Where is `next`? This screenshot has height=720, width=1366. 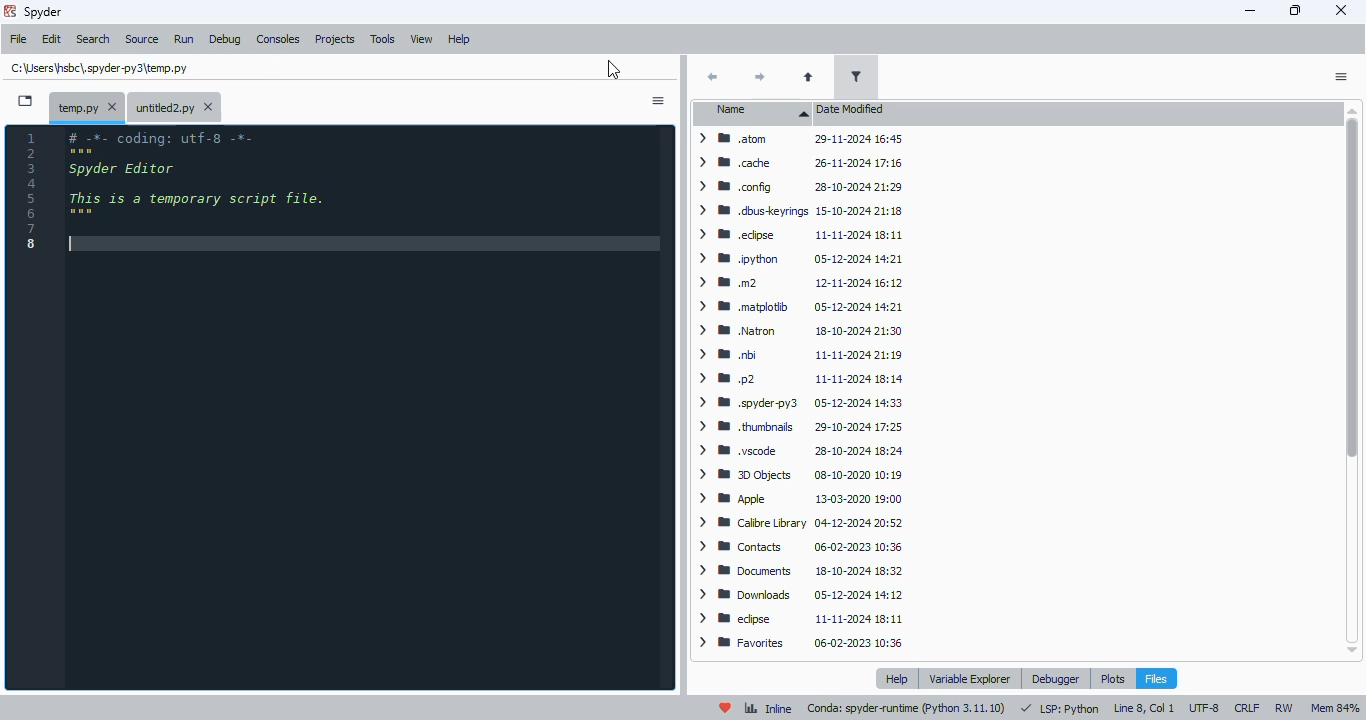
next is located at coordinates (759, 77).